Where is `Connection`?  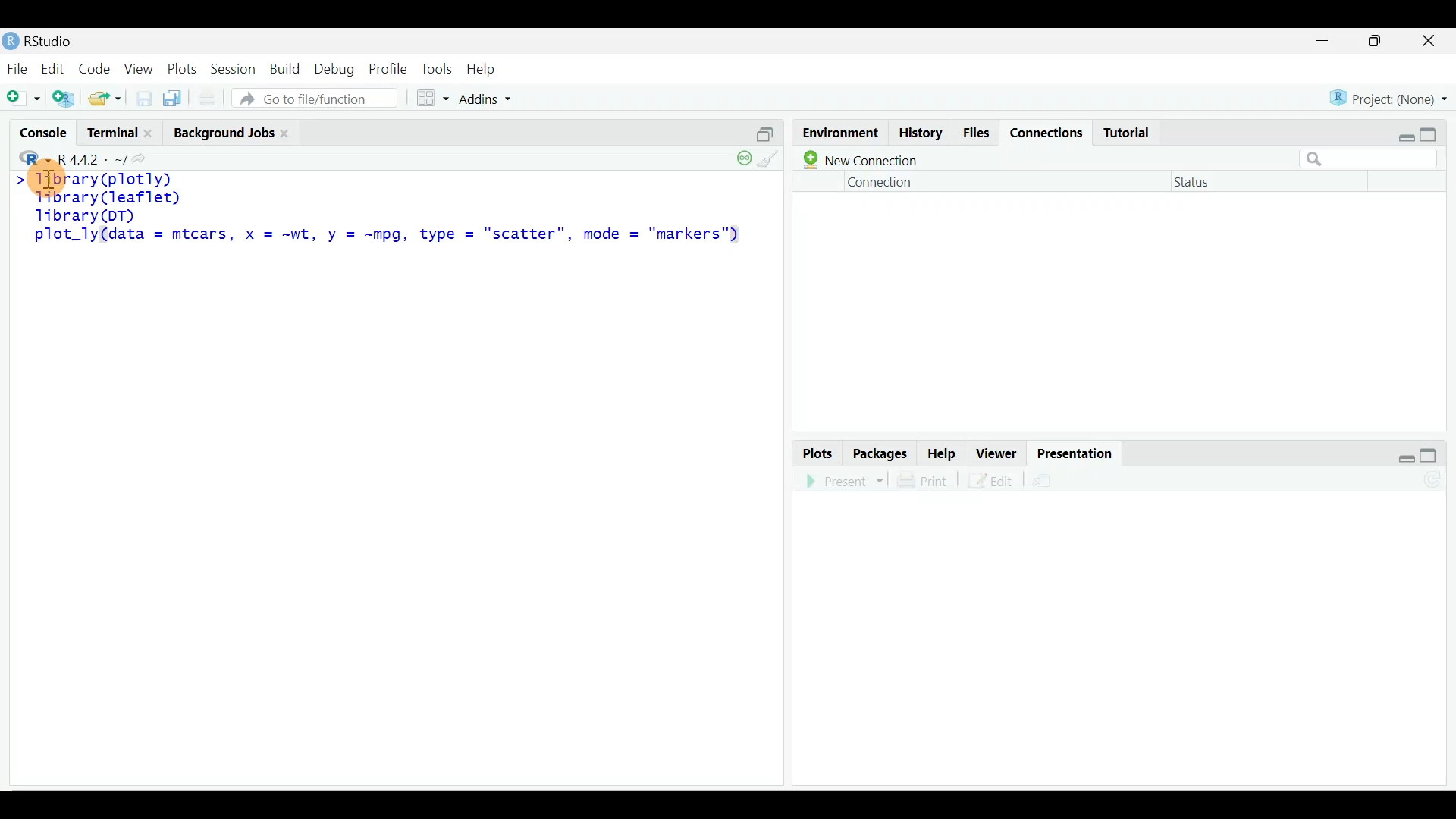 Connection is located at coordinates (878, 185).